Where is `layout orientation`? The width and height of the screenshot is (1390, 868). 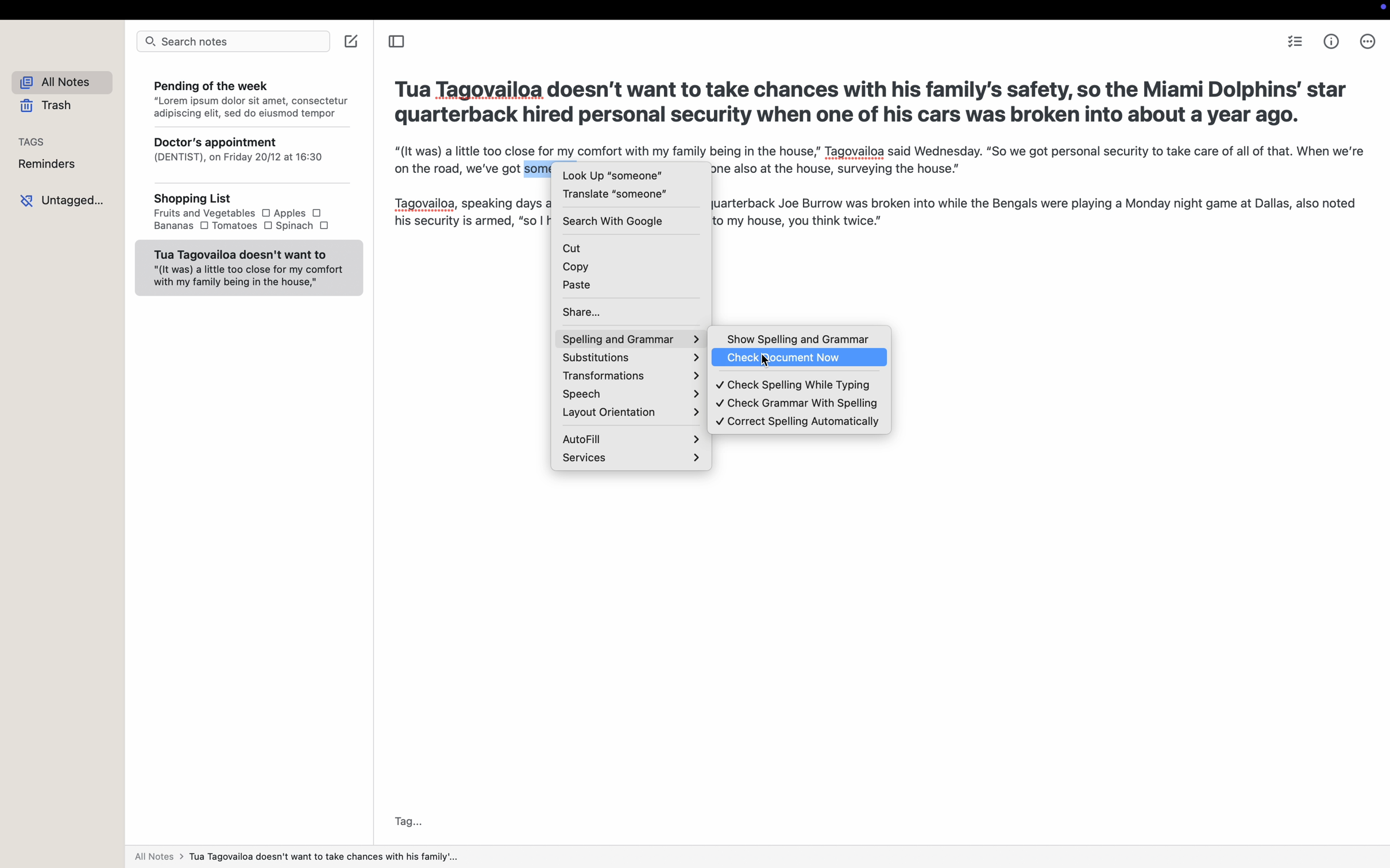 layout orientation is located at coordinates (630, 413).